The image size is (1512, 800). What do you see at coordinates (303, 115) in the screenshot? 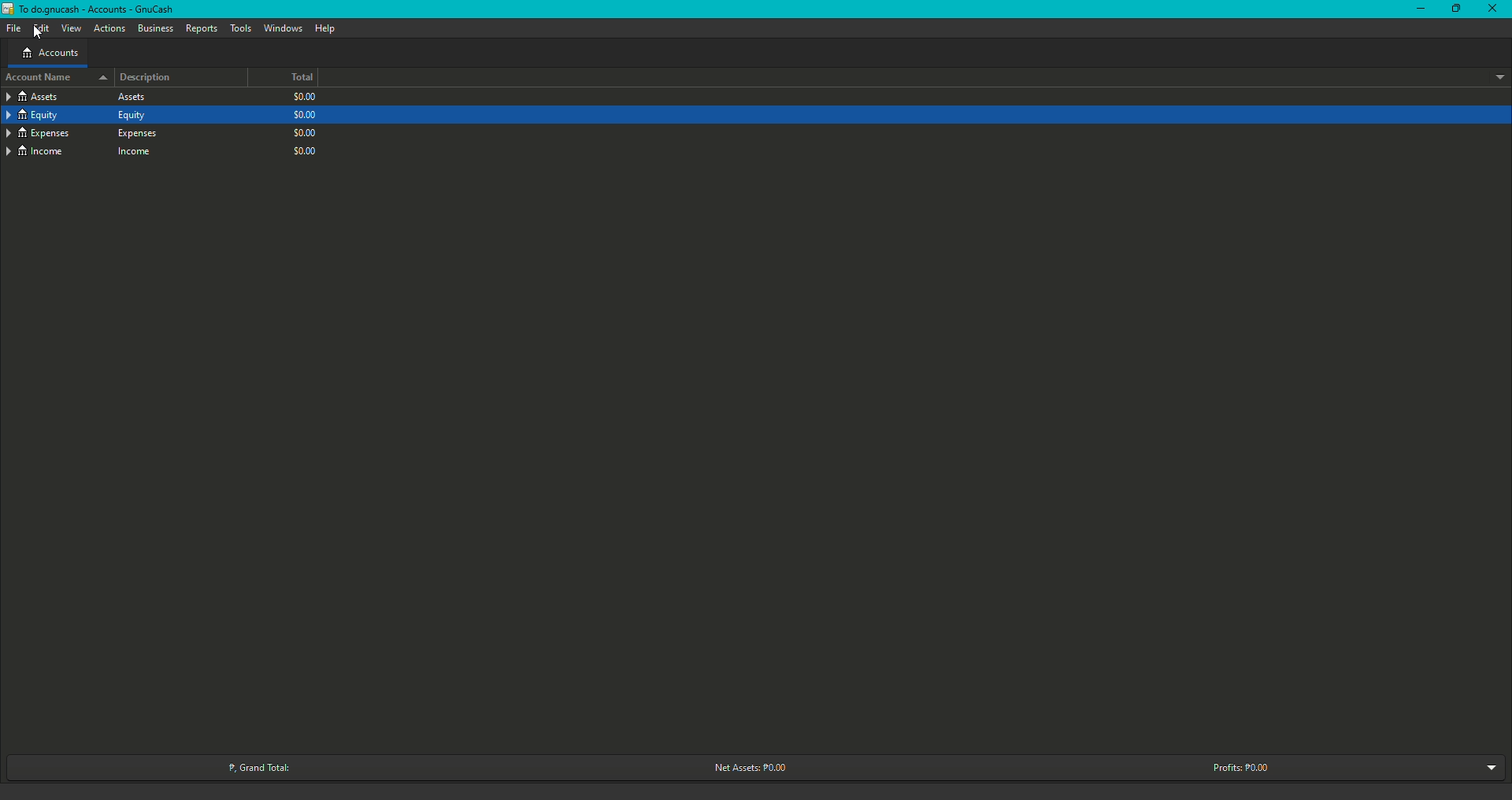
I see `$0` at bounding box center [303, 115].